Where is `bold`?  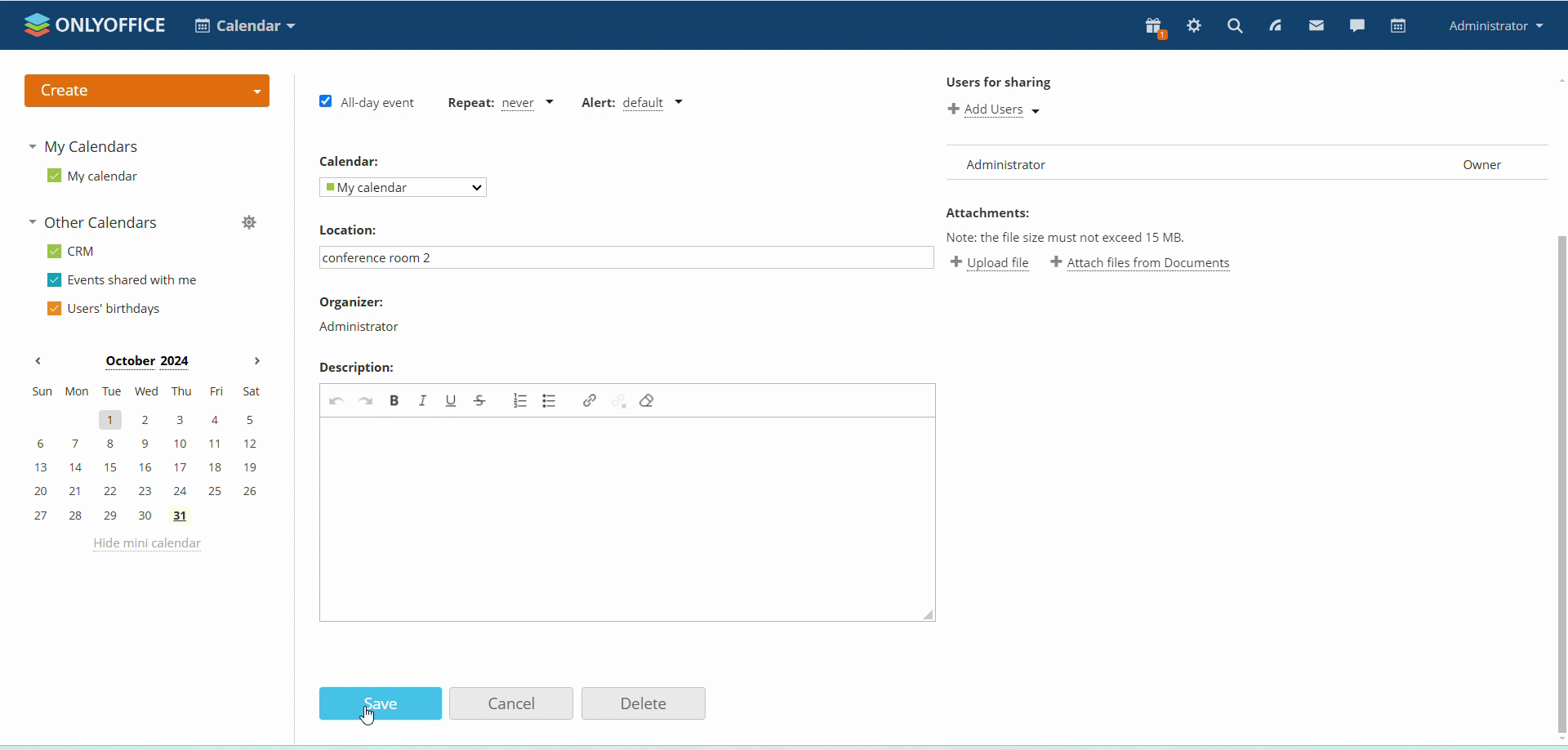 bold is located at coordinates (394, 401).